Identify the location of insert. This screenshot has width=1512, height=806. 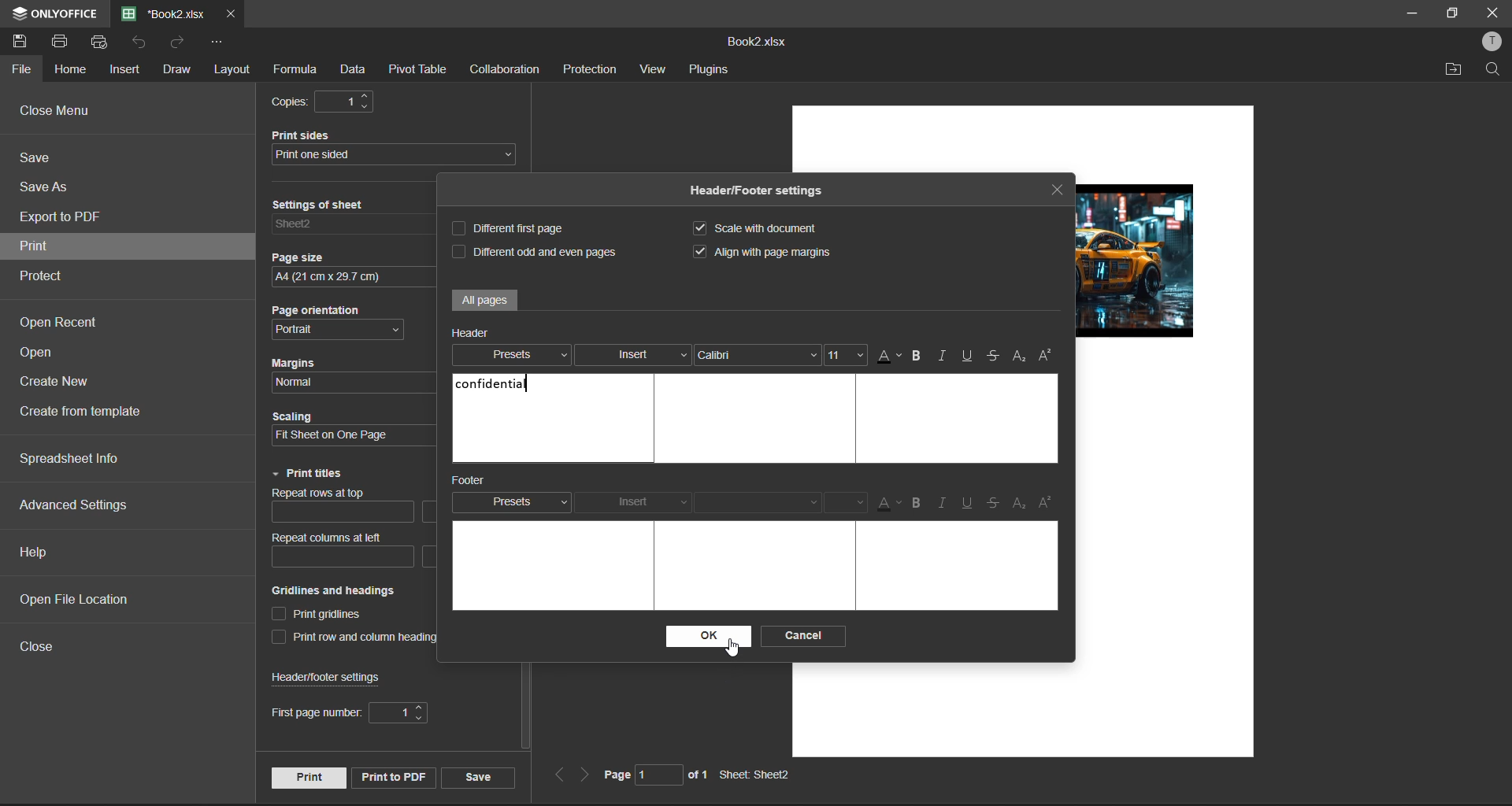
(637, 499).